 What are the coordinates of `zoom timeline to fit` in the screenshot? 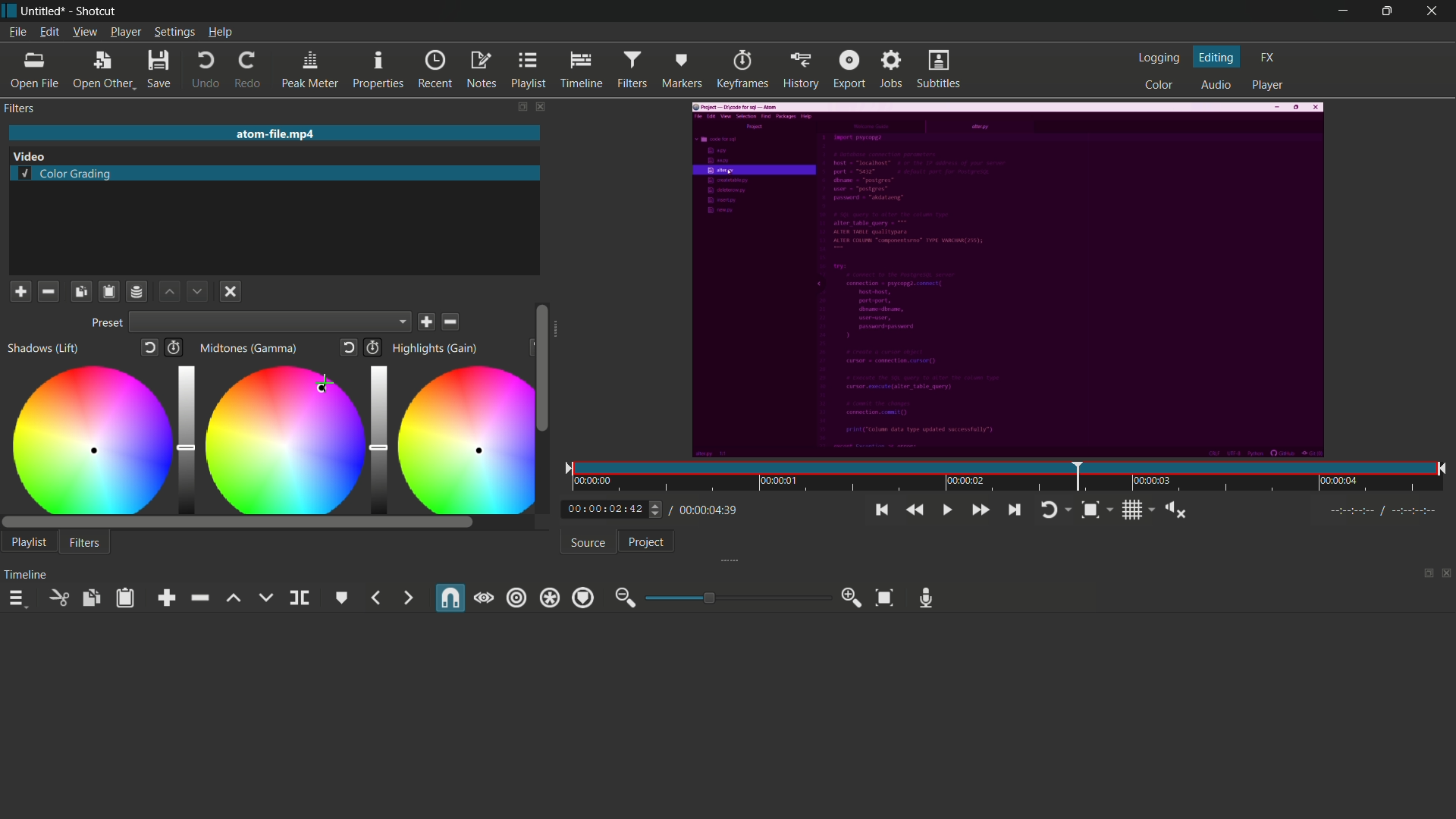 It's located at (1096, 508).